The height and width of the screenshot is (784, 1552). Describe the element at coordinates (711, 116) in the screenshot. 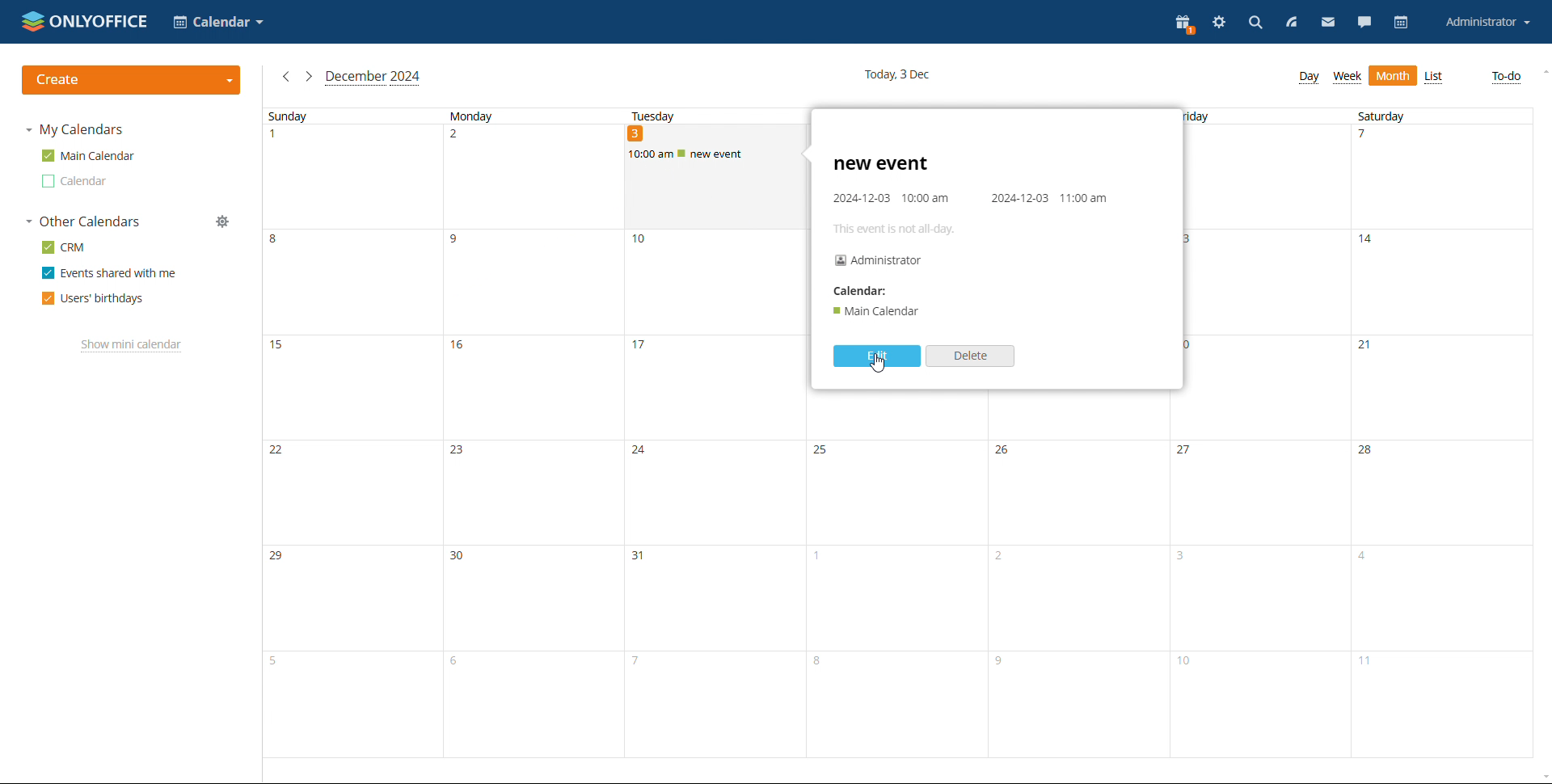

I see `Tuesday` at that location.